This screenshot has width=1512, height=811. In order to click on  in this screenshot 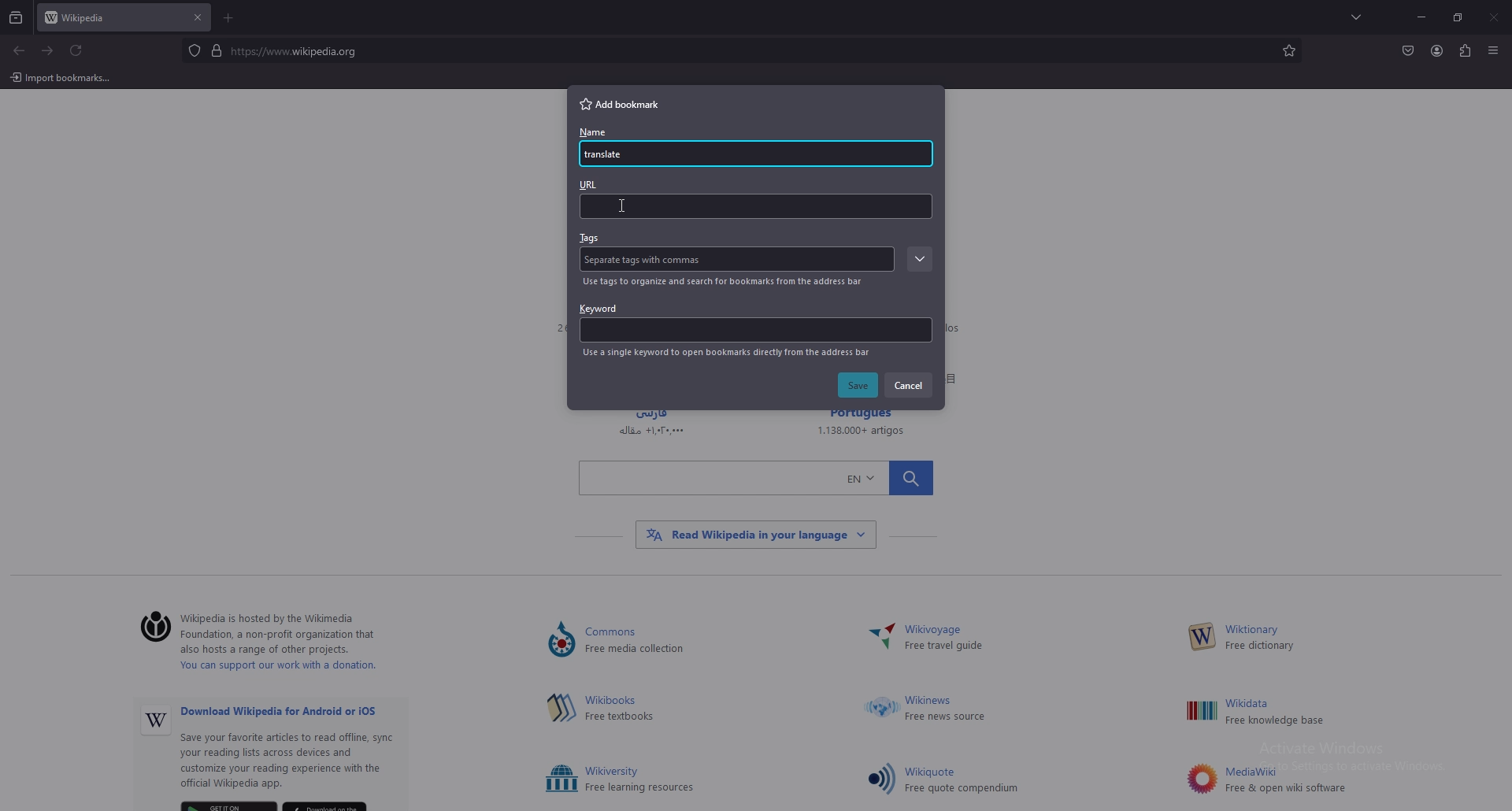, I will do `click(1203, 637)`.